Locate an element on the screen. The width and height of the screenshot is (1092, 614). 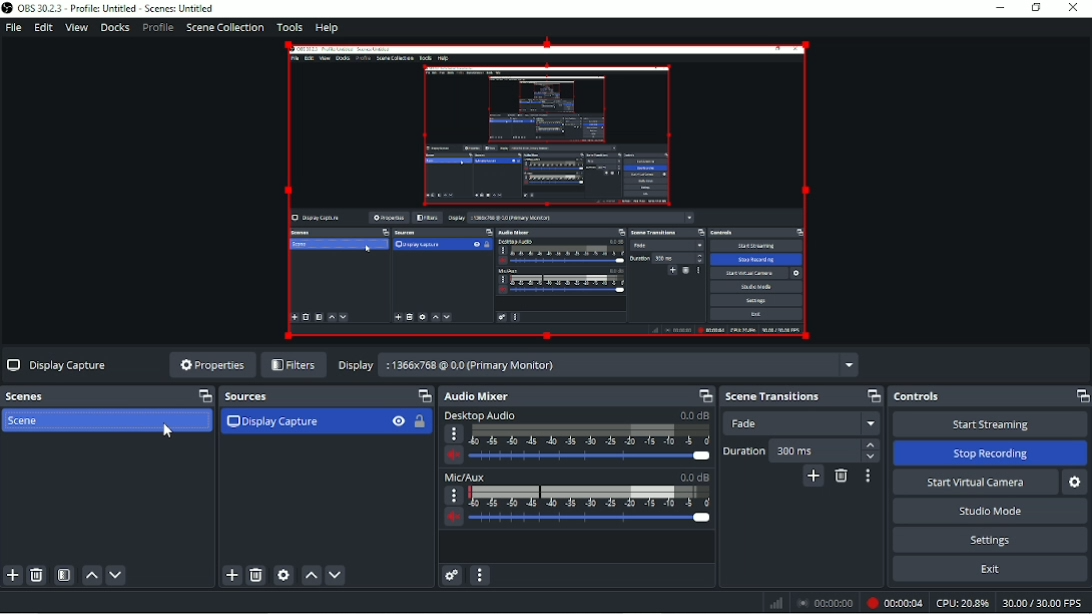
Add configurable transition is located at coordinates (814, 478).